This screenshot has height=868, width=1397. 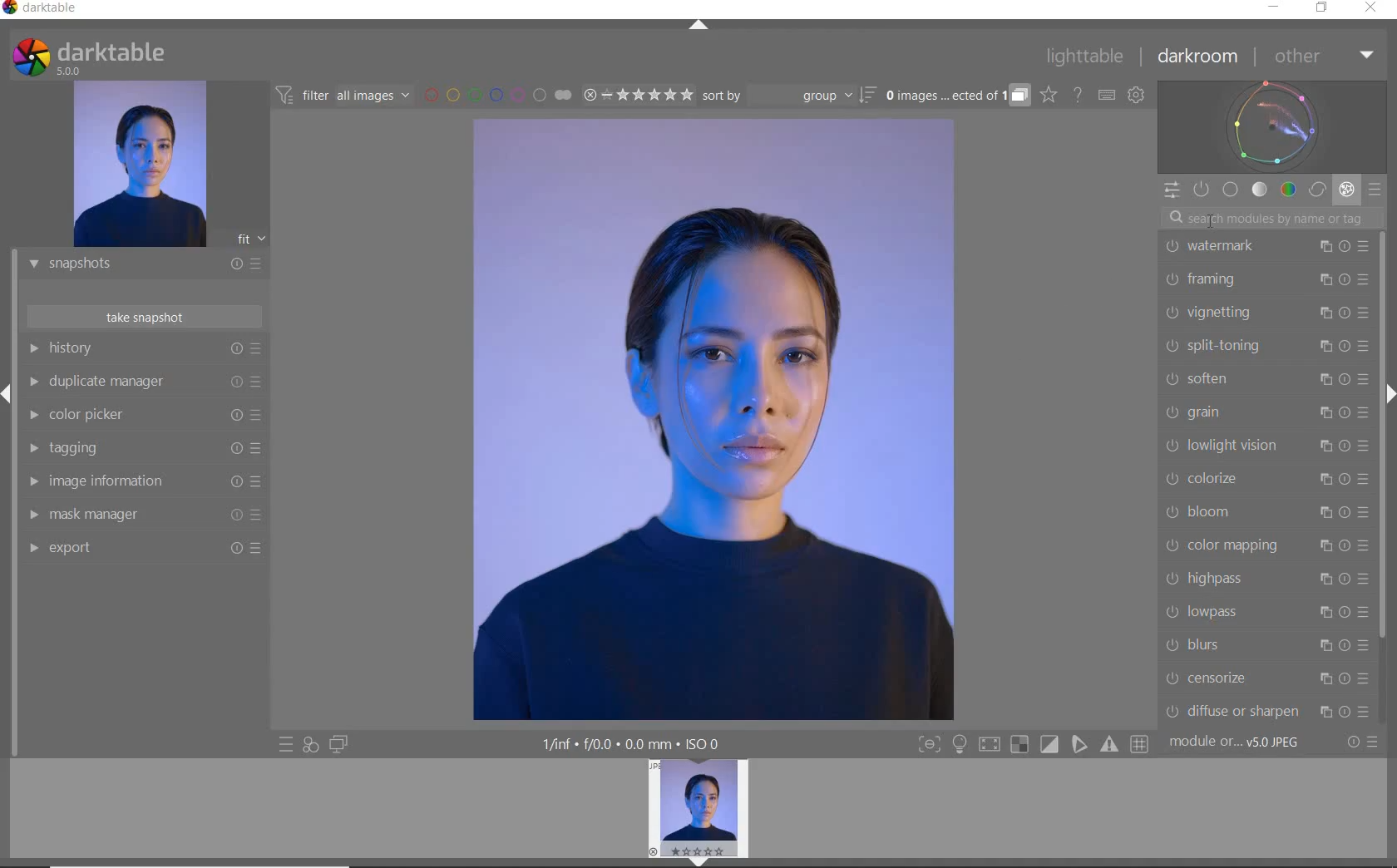 What do you see at coordinates (1261, 190) in the screenshot?
I see `TONE` at bounding box center [1261, 190].